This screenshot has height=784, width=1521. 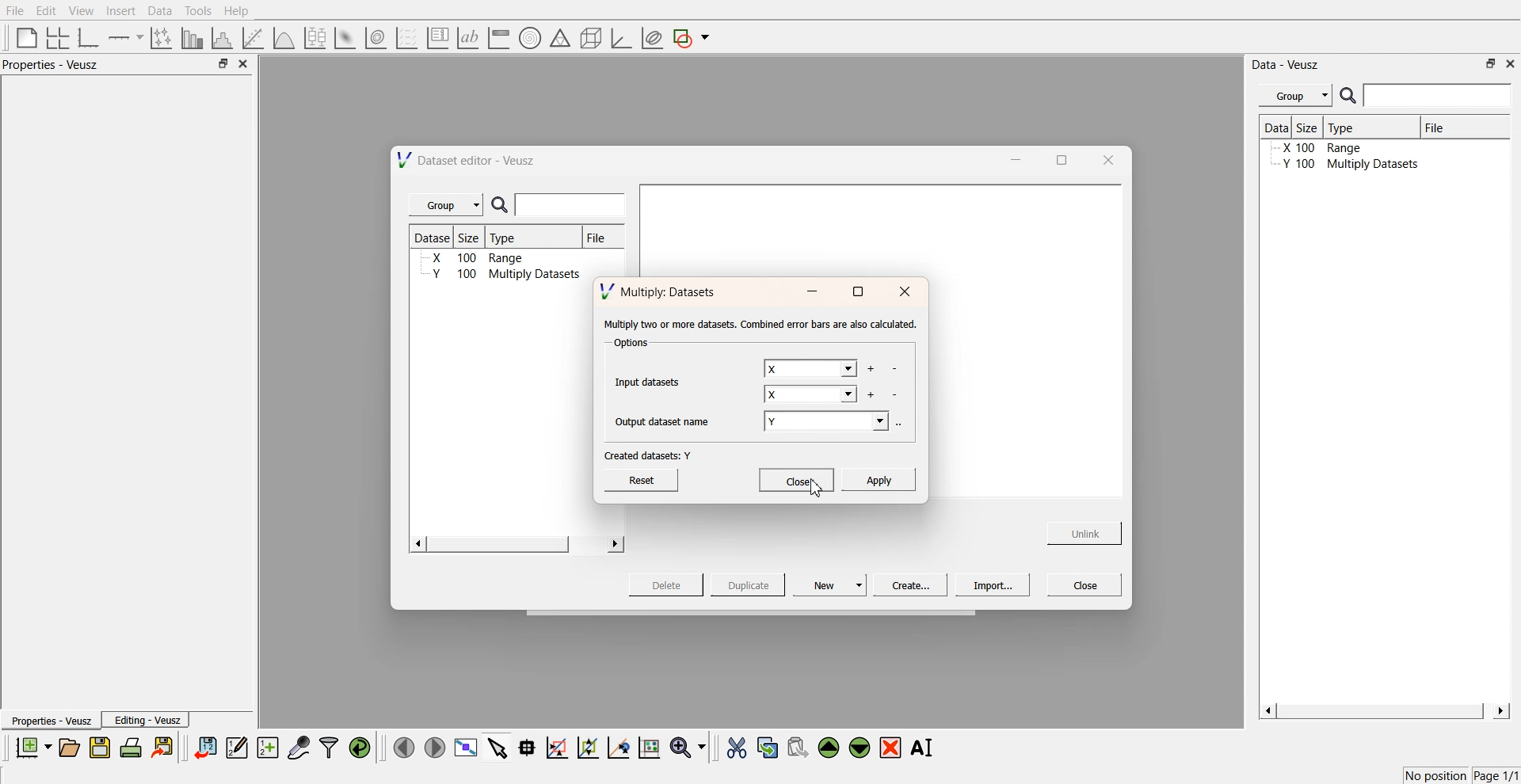 I want to click on Data - Veusz, so click(x=1287, y=65).